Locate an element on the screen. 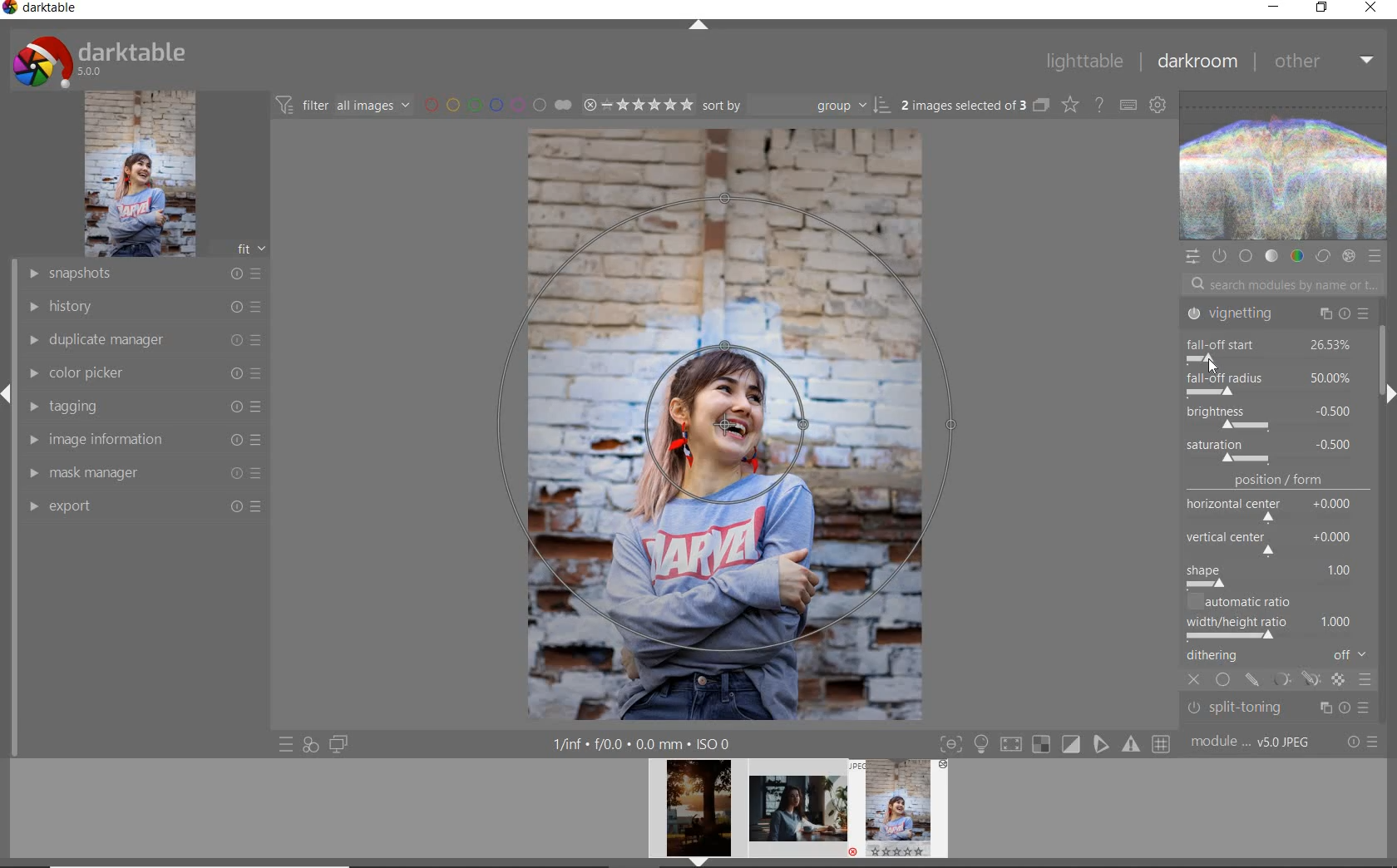 The height and width of the screenshot is (868, 1397). system name is located at coordinates (41, 10).